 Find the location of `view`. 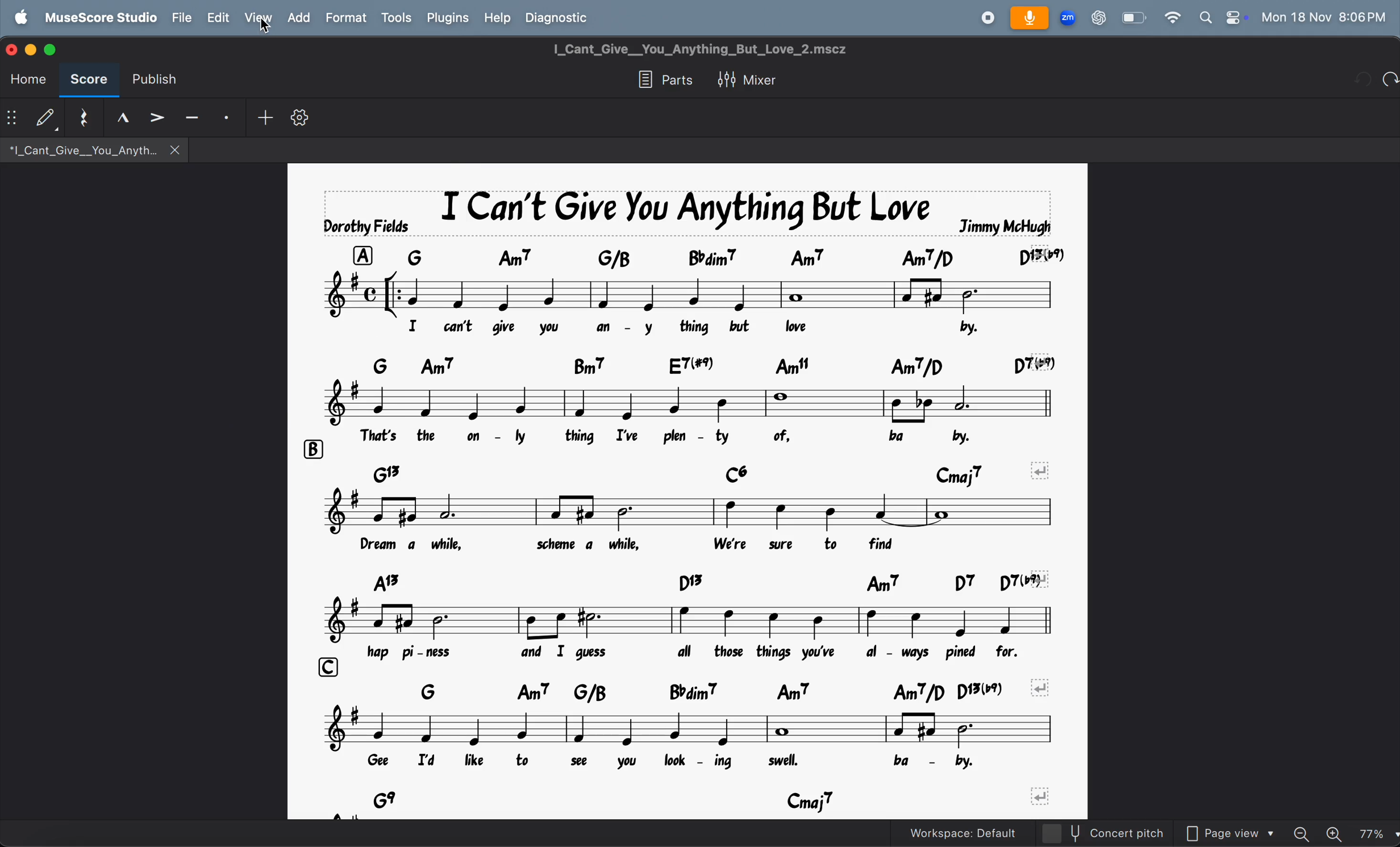

view is located at coordinates (257, 18).